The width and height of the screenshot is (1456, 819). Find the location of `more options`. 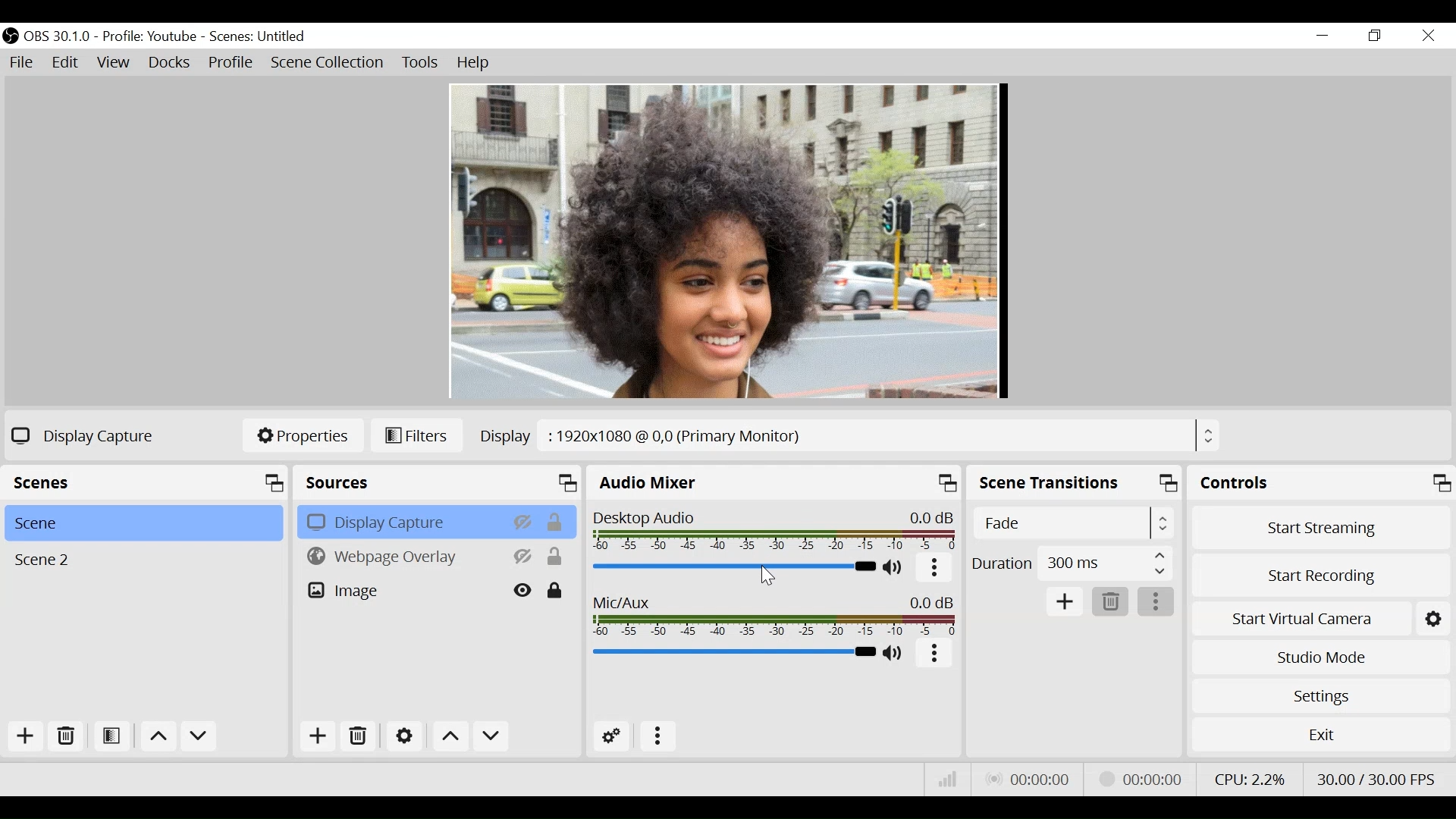

more options is located at coordinates (658, 735).